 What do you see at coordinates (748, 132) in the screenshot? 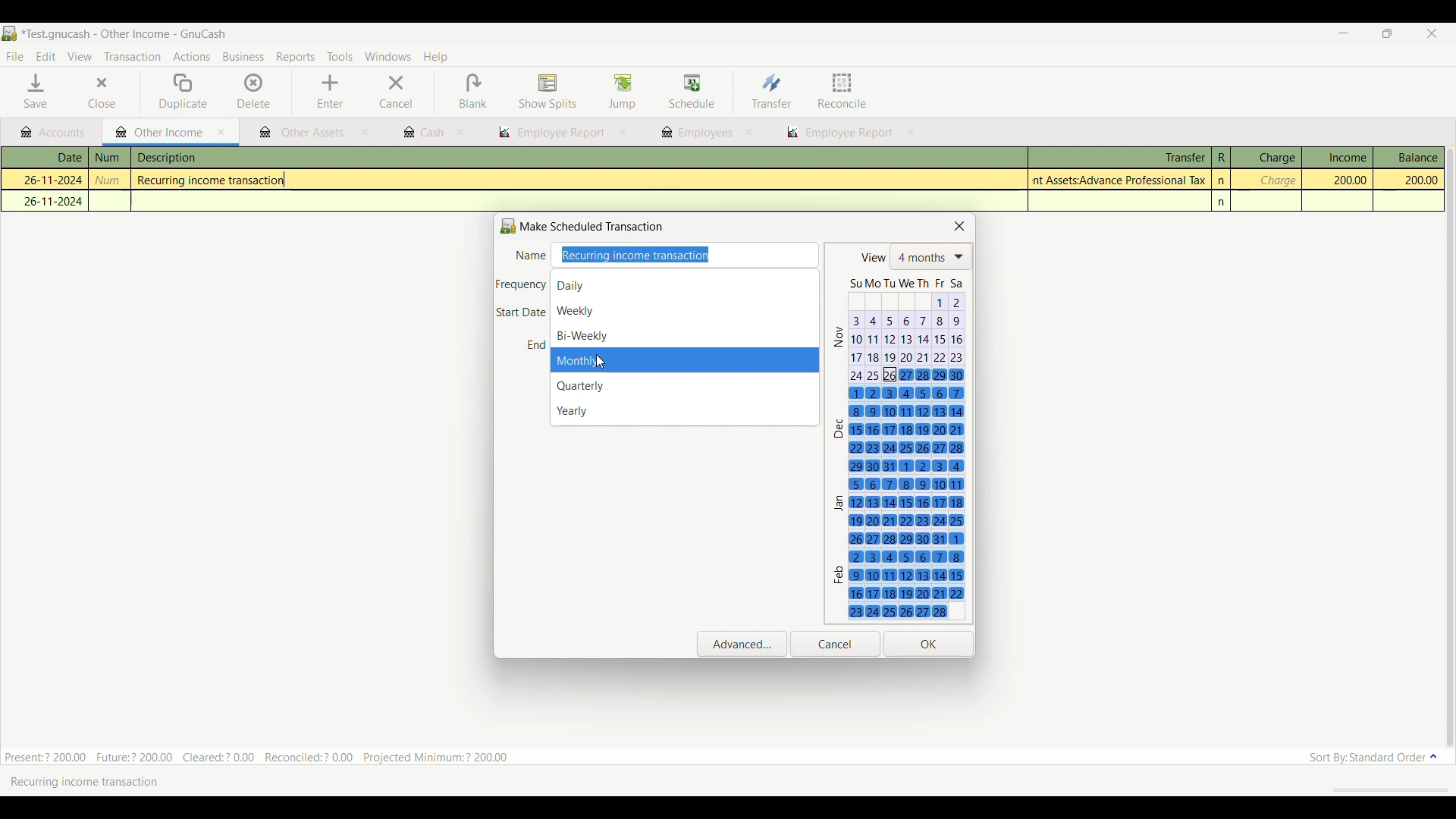
I see `close` at bounding box center [748, 132].